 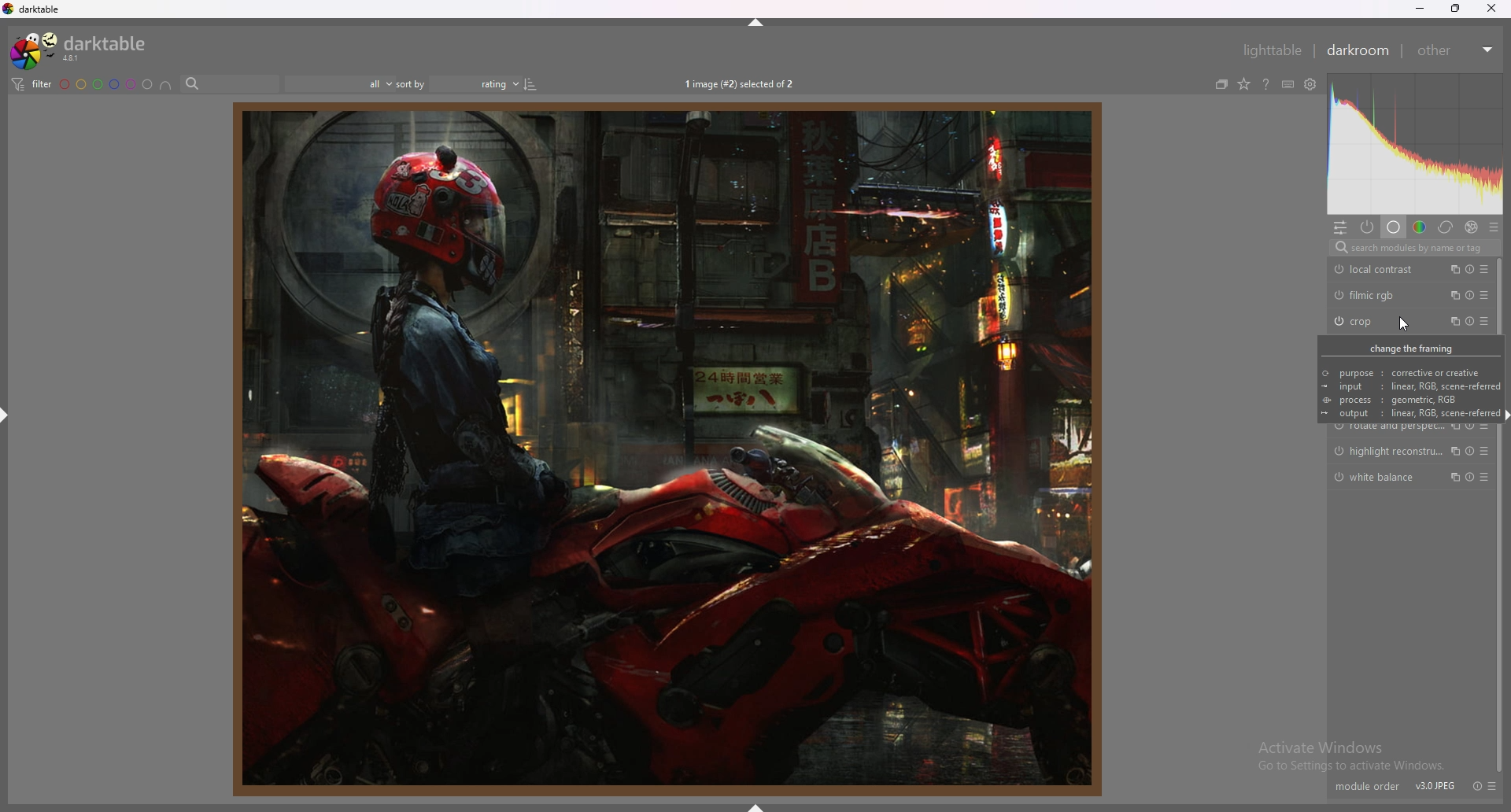 What do you see at coordinates (1456, 50) in the screenshot?
I see `other` at bounding box center [1456, 50].